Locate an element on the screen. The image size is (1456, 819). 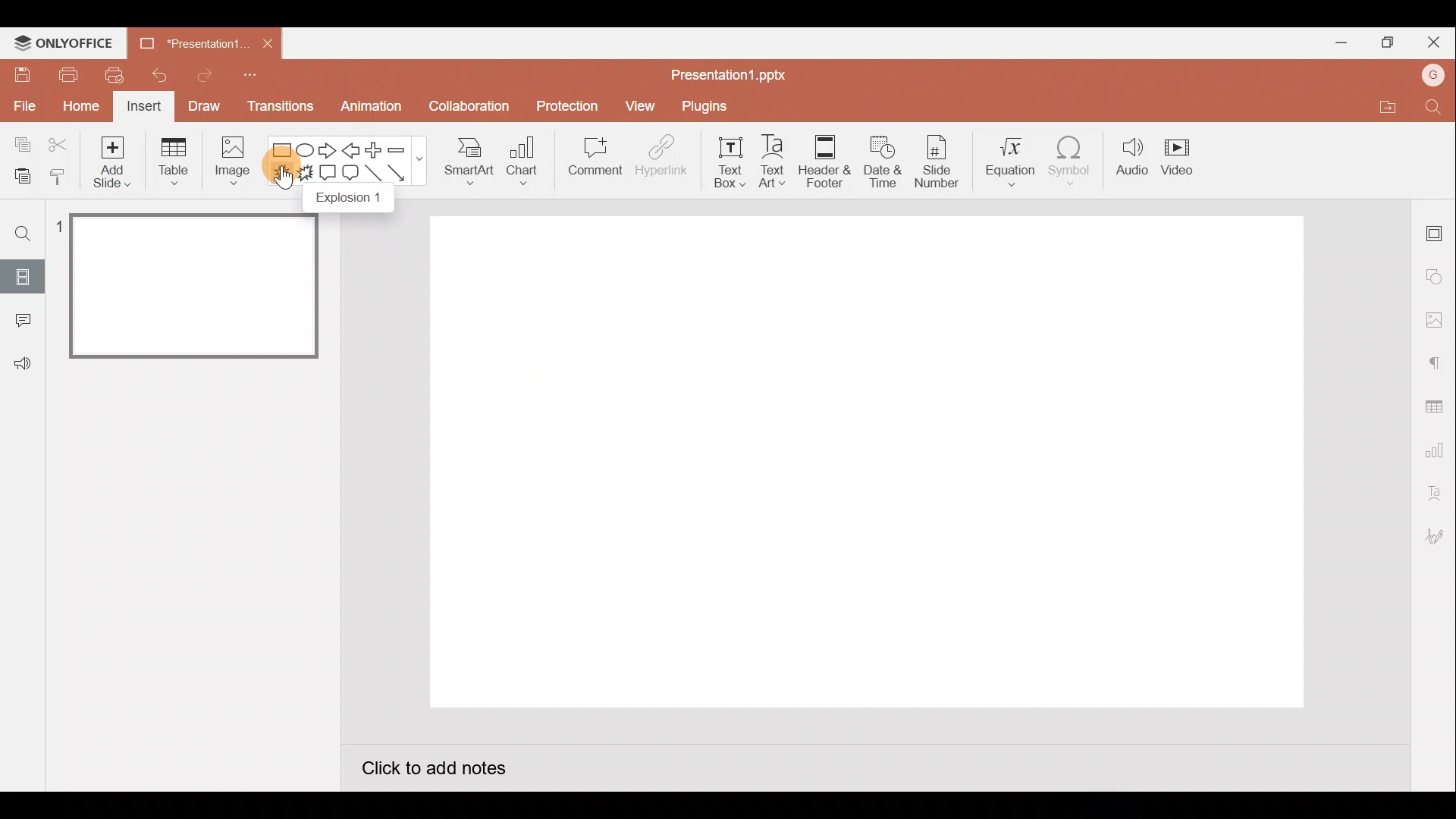
Animation is located at coordinates (368, 109).